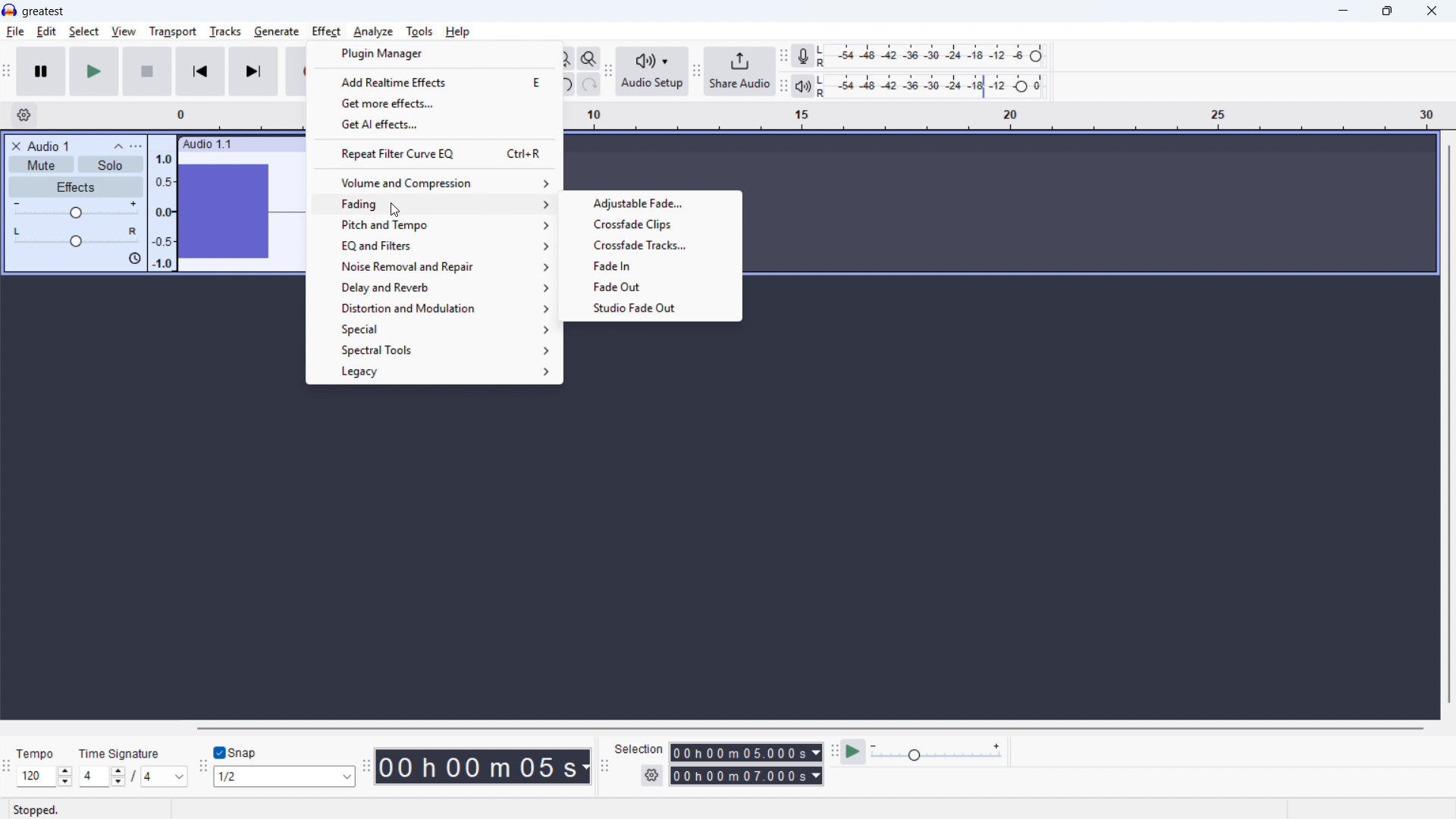 This screenshot has width=1456, height=819. I want to click on generate, so click(277, 33).